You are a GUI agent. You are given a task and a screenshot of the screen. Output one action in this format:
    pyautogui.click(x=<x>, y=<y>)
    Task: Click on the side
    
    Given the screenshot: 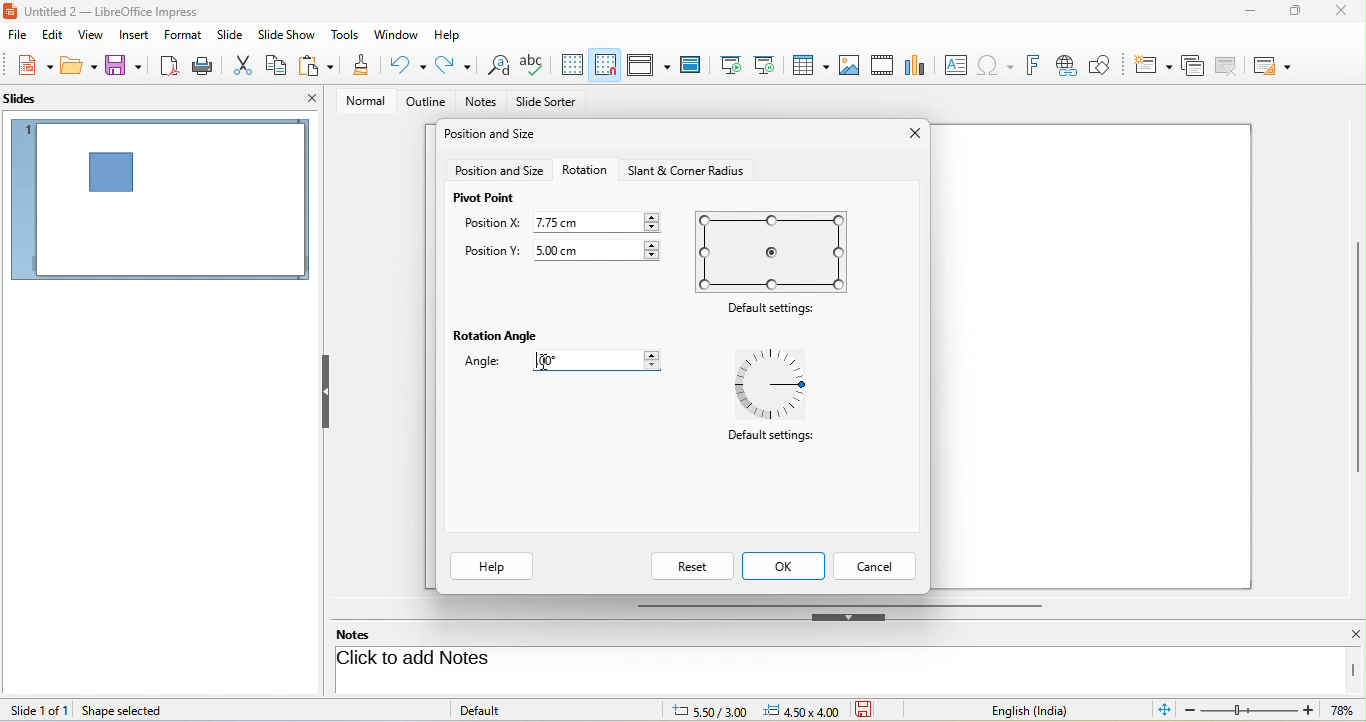 What is the action you would take?
    pyautogui.click(x=234, y=35)
    